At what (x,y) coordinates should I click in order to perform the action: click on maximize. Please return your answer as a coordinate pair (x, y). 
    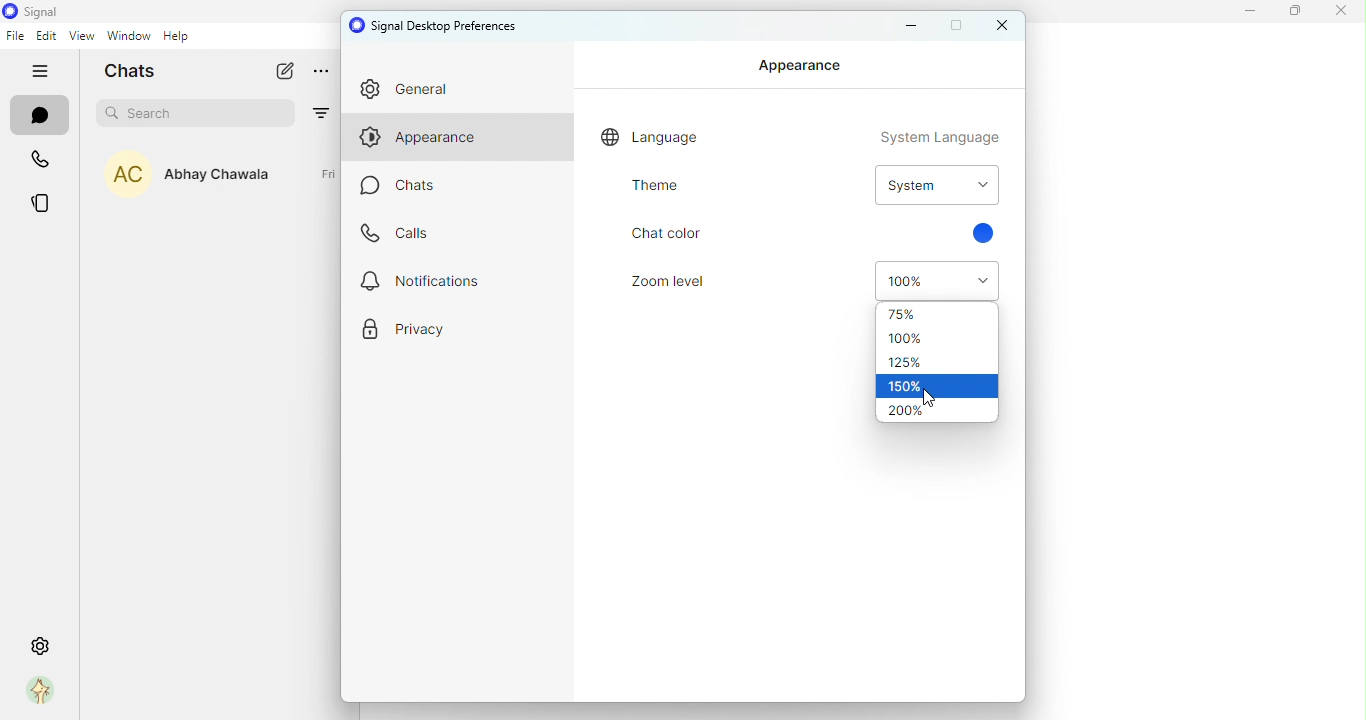
    Looking at the image, I should click on (1297, 13).